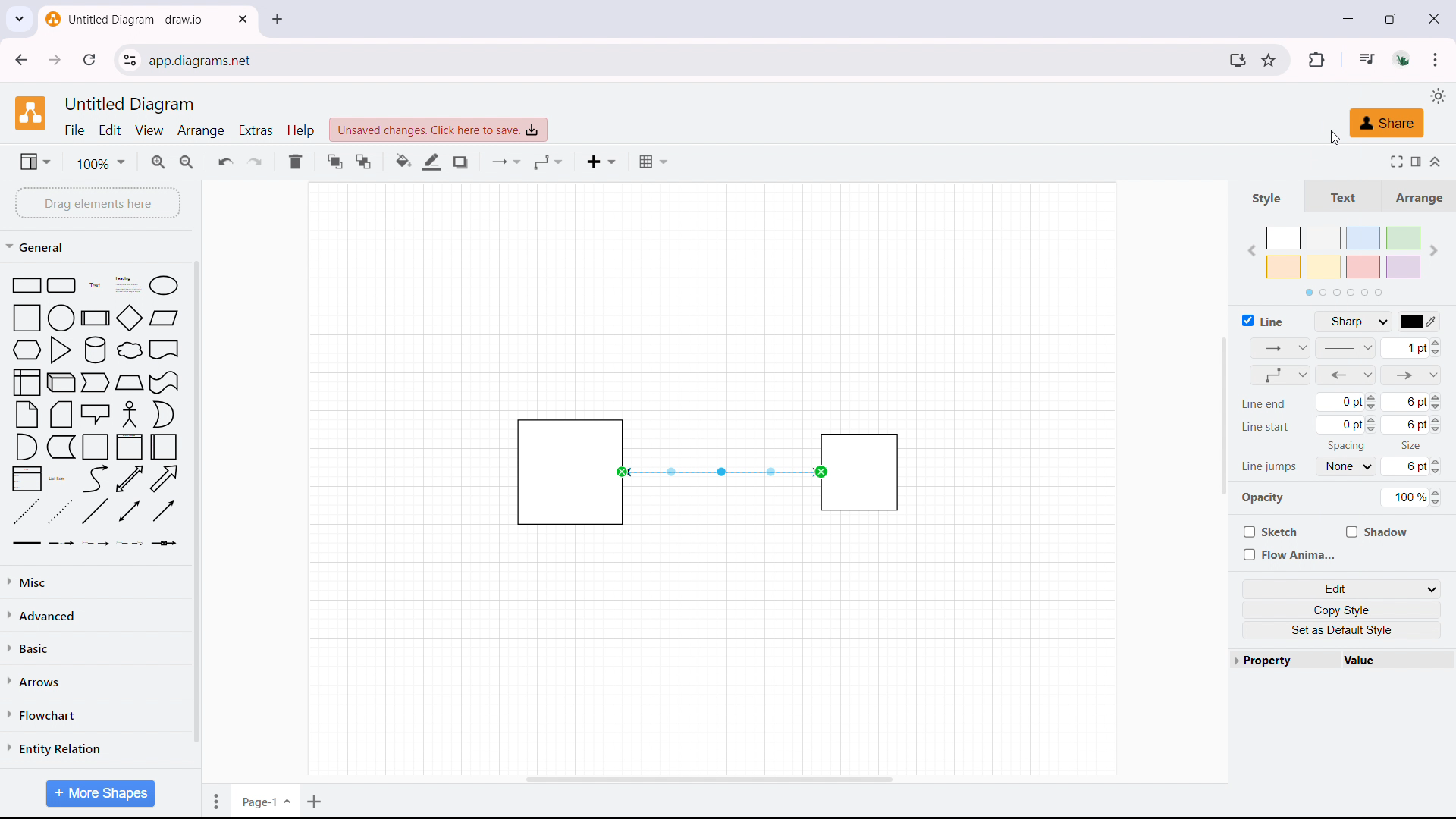  What do you see at coordinates (601, 162) in the screenshot?
I see `insert` at bounding box center [601, 162].